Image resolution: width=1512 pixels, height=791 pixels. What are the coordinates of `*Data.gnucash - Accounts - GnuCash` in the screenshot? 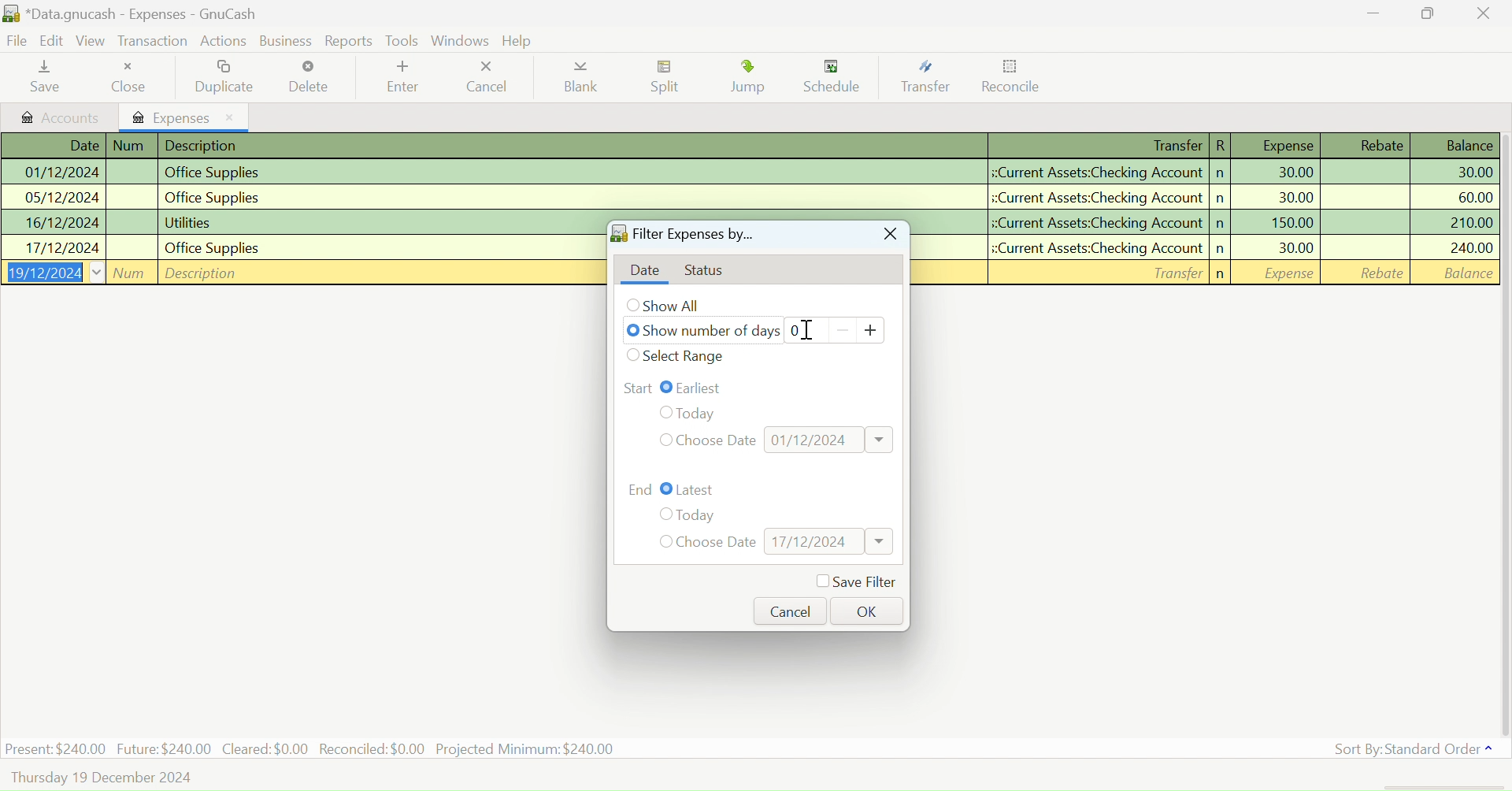 It's located at (133, 15).